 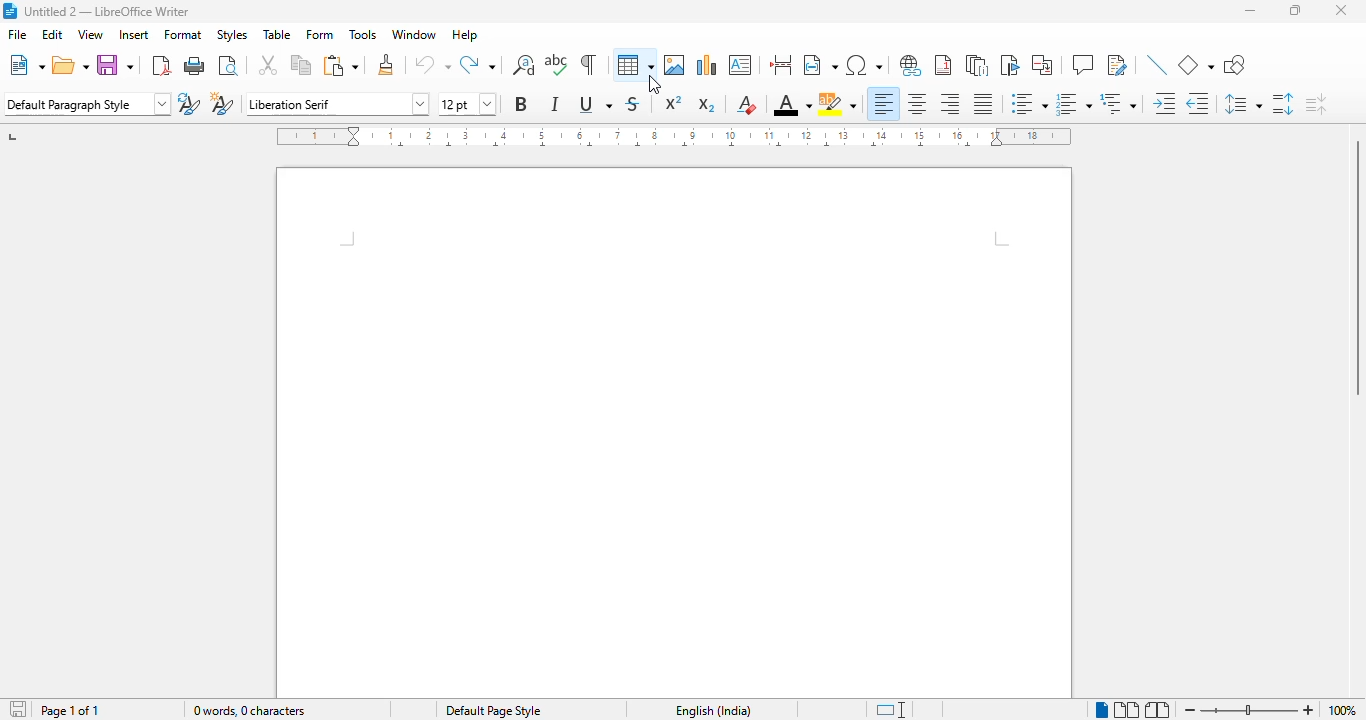 What do you see at coordinates (978, 65) in the screenshot?
I see `insert endnote` at bounding box center [978, 65].